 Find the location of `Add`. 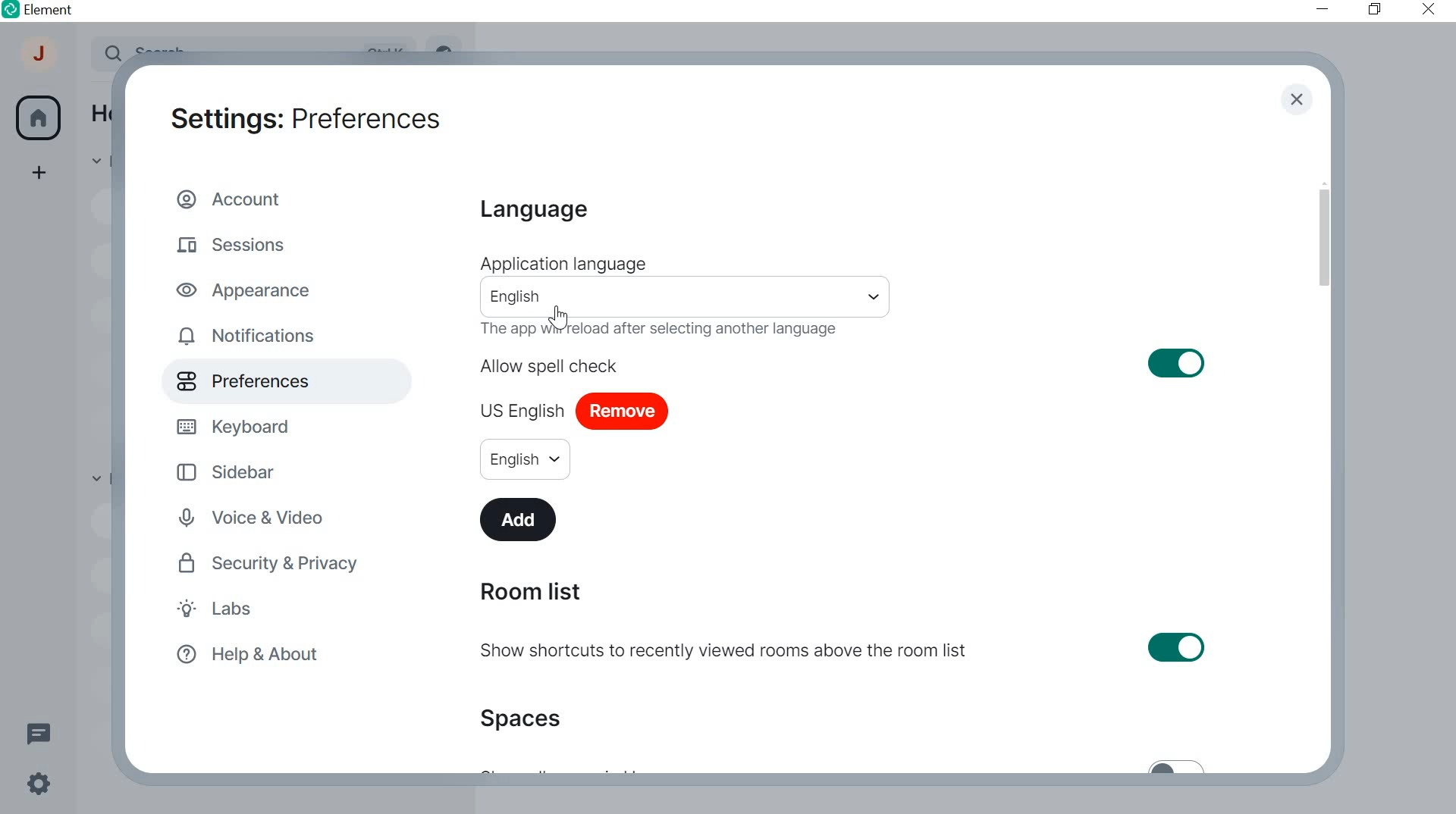

Add is located at coordinates (521, 518).